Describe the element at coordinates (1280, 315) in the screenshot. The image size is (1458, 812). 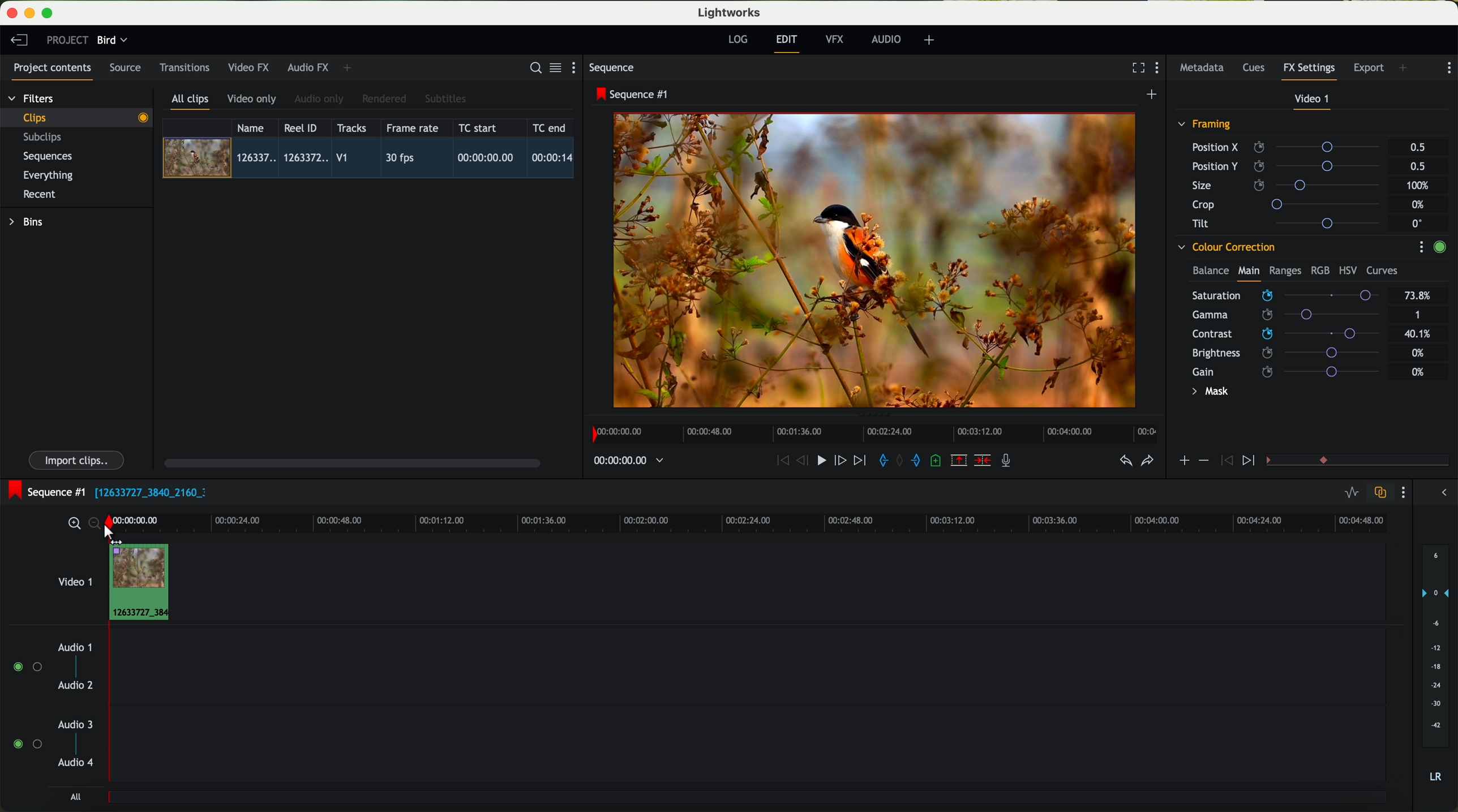
I see `click on saturation` at that location.